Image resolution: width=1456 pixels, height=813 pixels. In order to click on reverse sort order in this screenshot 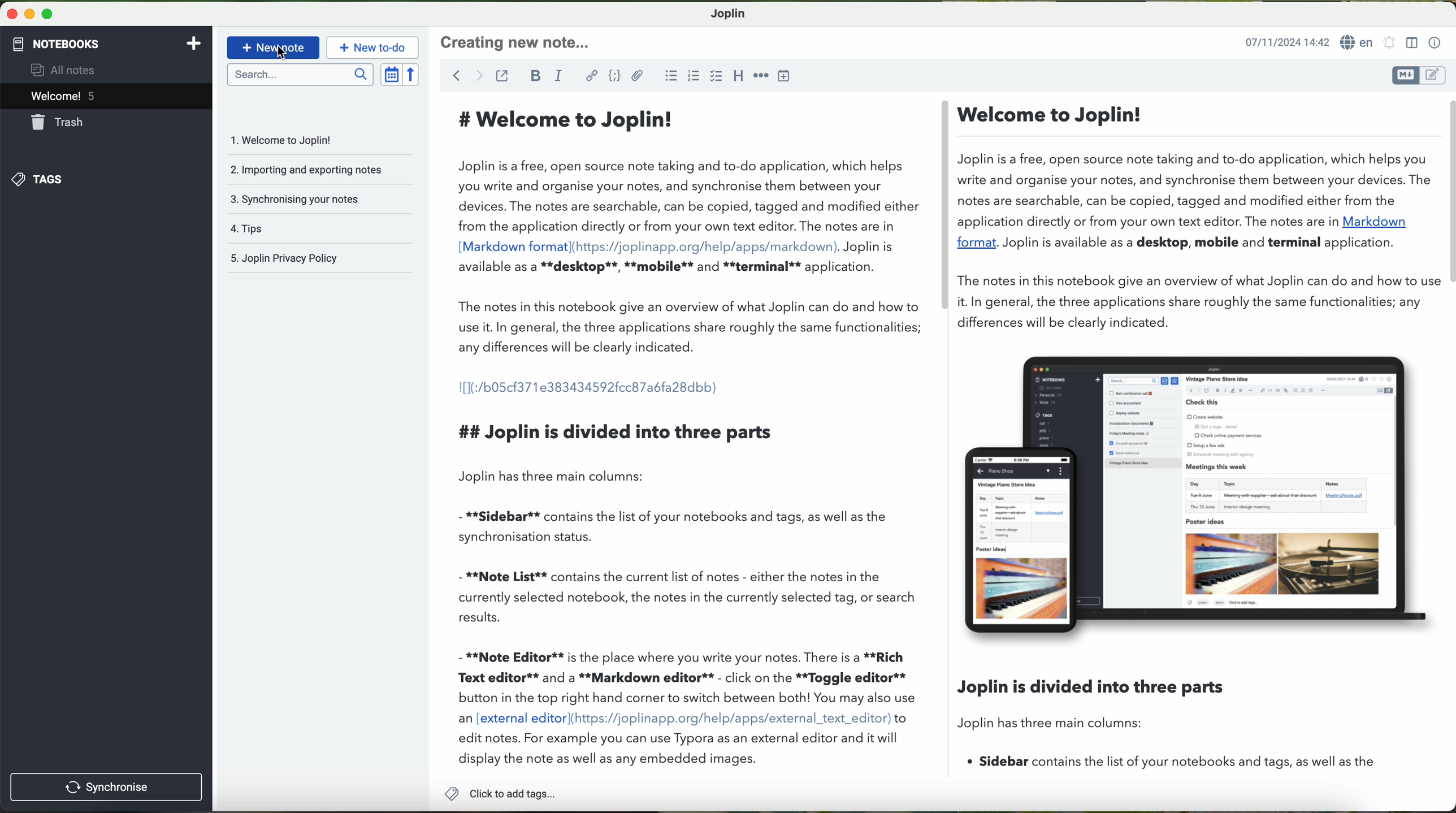, I will do `click(412, 75)`.